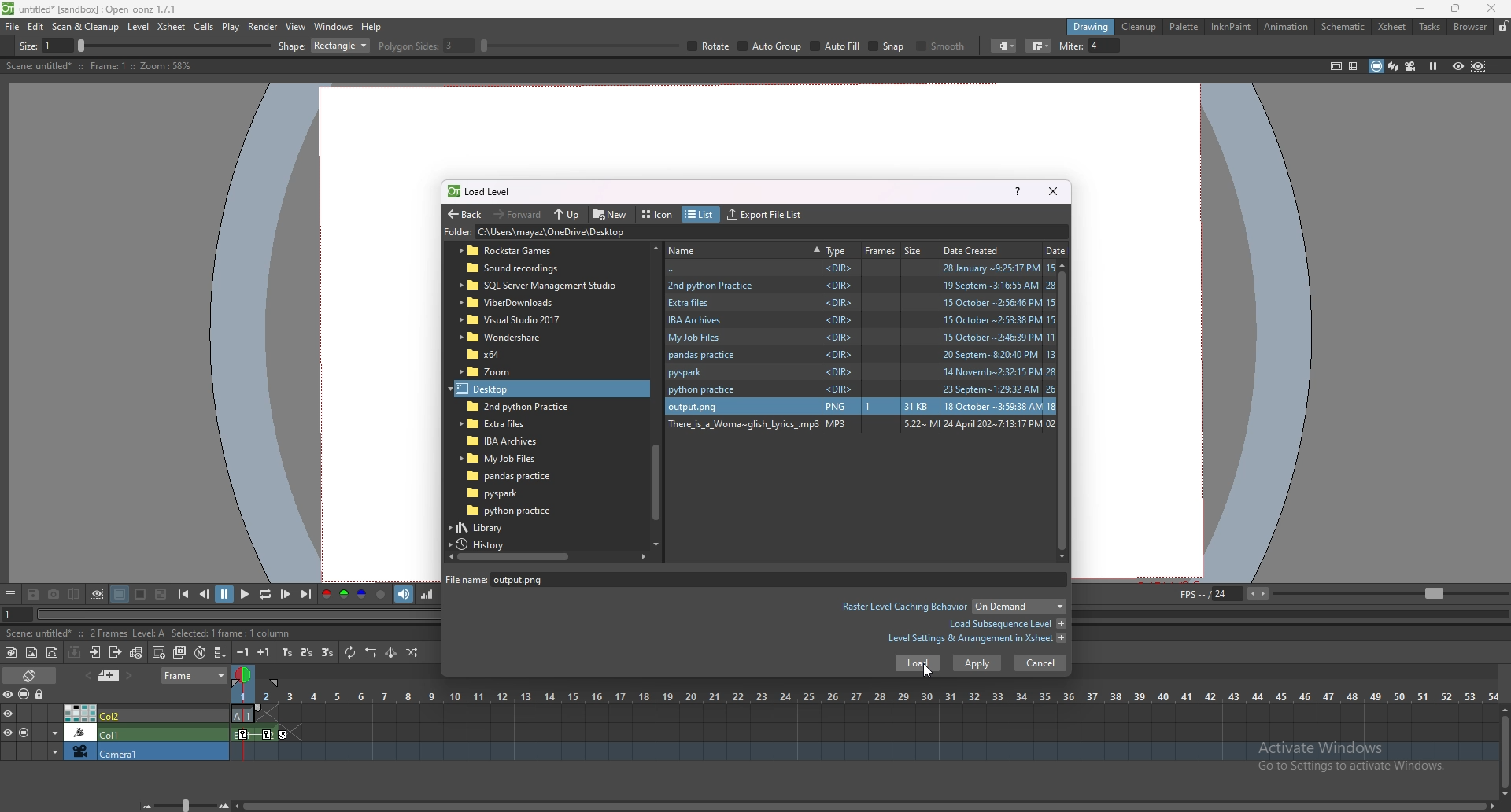 This screenshot has width=1511, height=812. Describe the element at coordinates (371, 27) in the screenshot. I see `help` at that location.